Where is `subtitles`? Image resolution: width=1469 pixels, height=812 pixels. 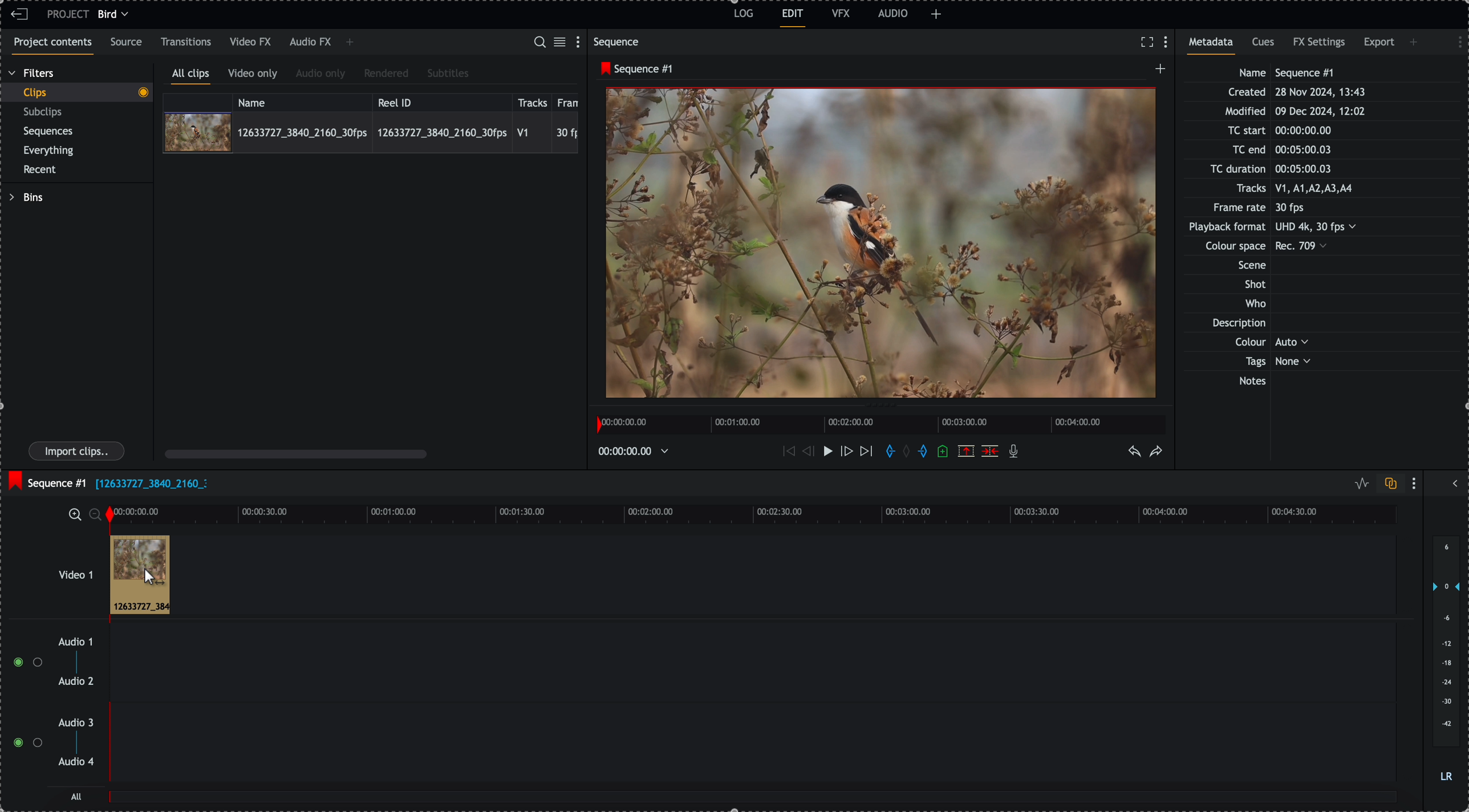 subtitles is located at coordinates (448, 74).